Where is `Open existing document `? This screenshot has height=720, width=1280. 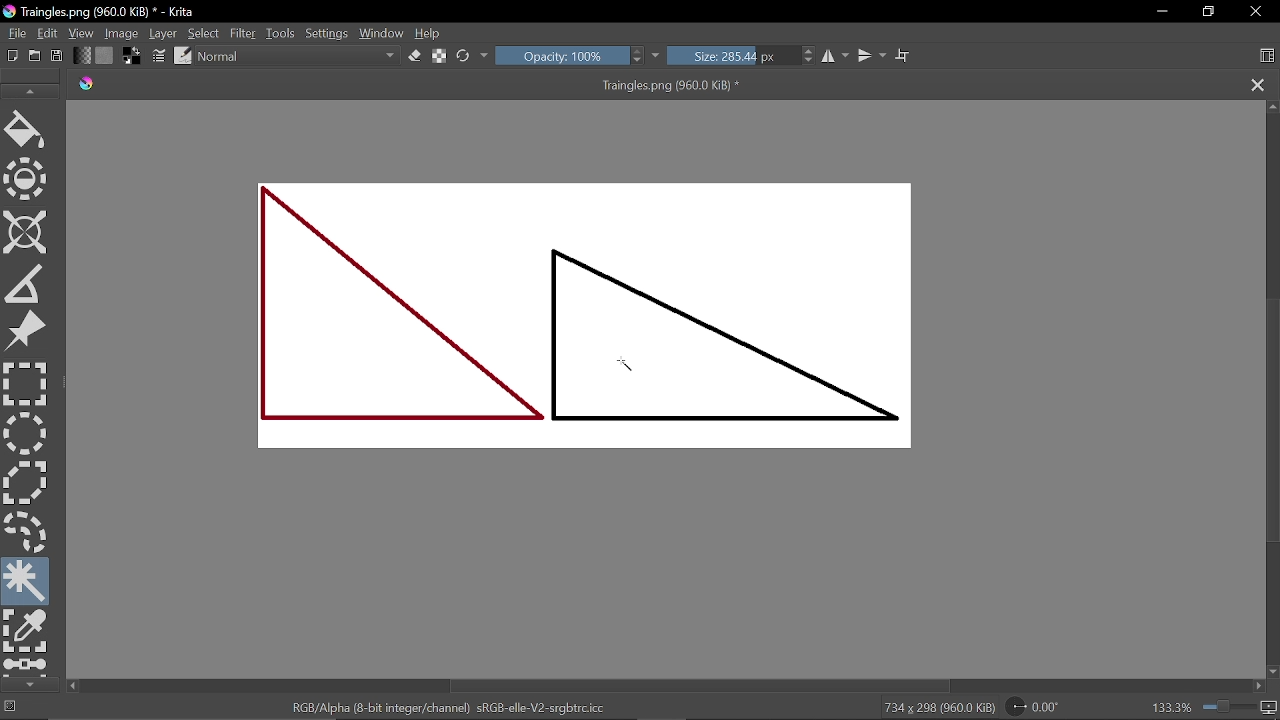
Open existing document  is located at coordinates (35, 56).